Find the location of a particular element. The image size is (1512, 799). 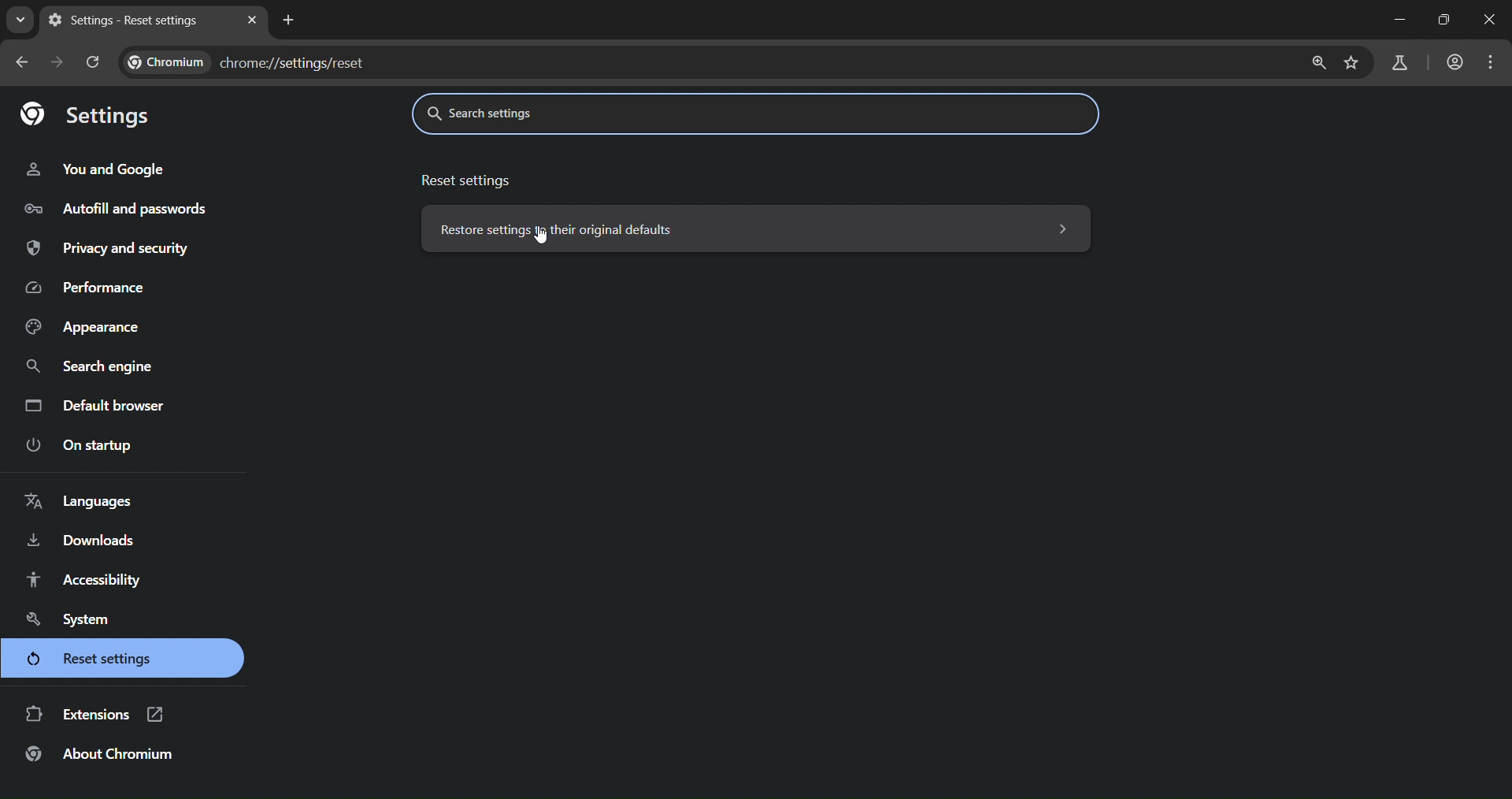

you and google is located at coordinates (100, 168).